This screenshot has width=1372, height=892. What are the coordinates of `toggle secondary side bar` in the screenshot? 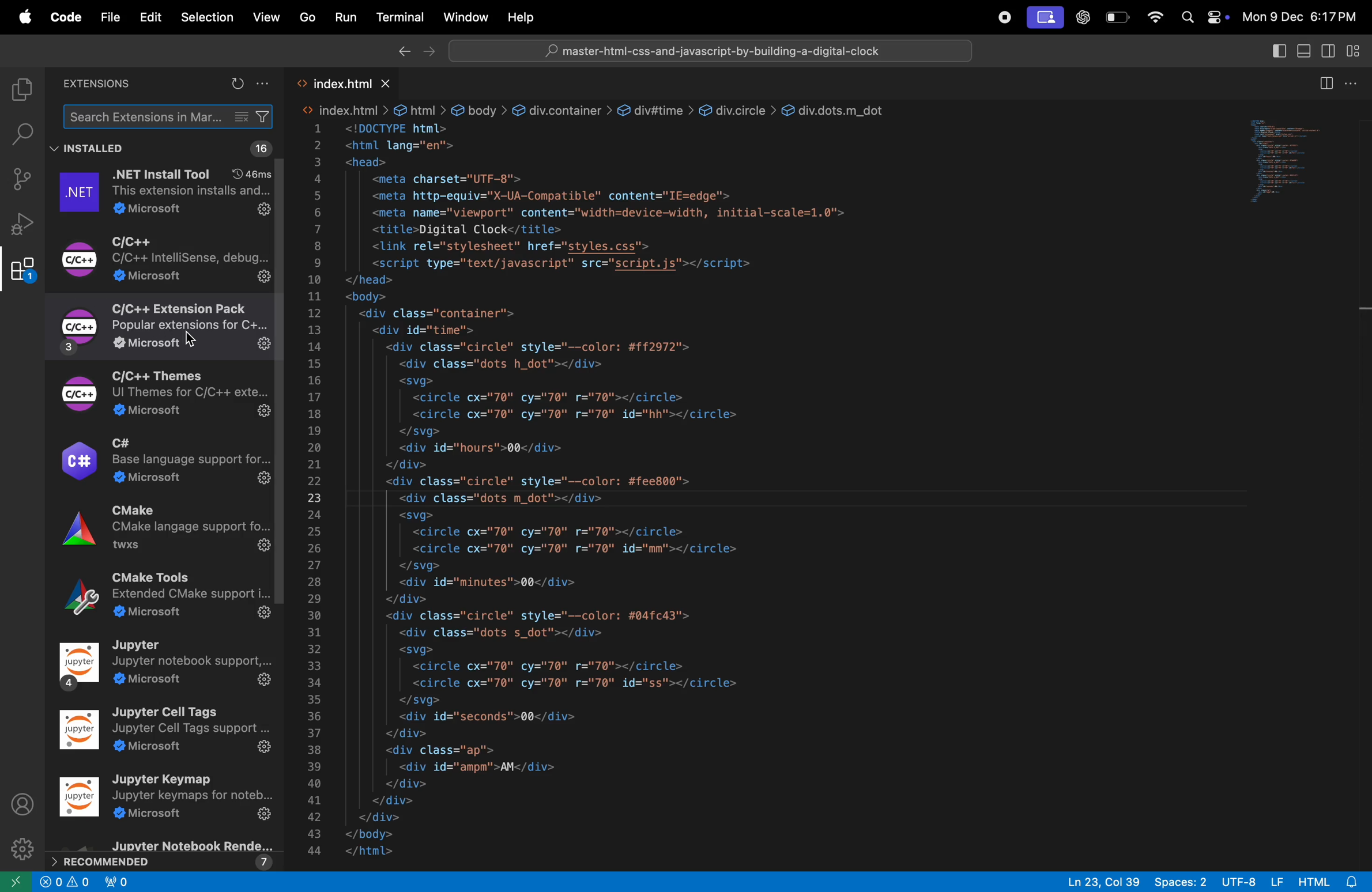 It's located at (1276, 50).